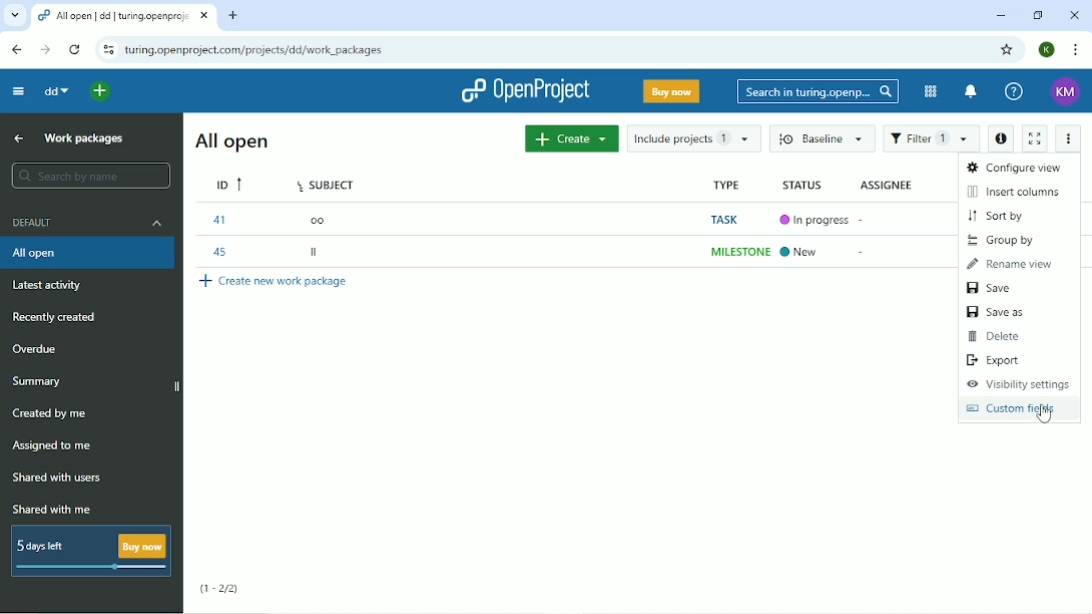 The image size is (1092, 614). What do you see at coordinates (273, 281) in the screenshot?
I see `Create new work package` at bounding box center [273, 281].